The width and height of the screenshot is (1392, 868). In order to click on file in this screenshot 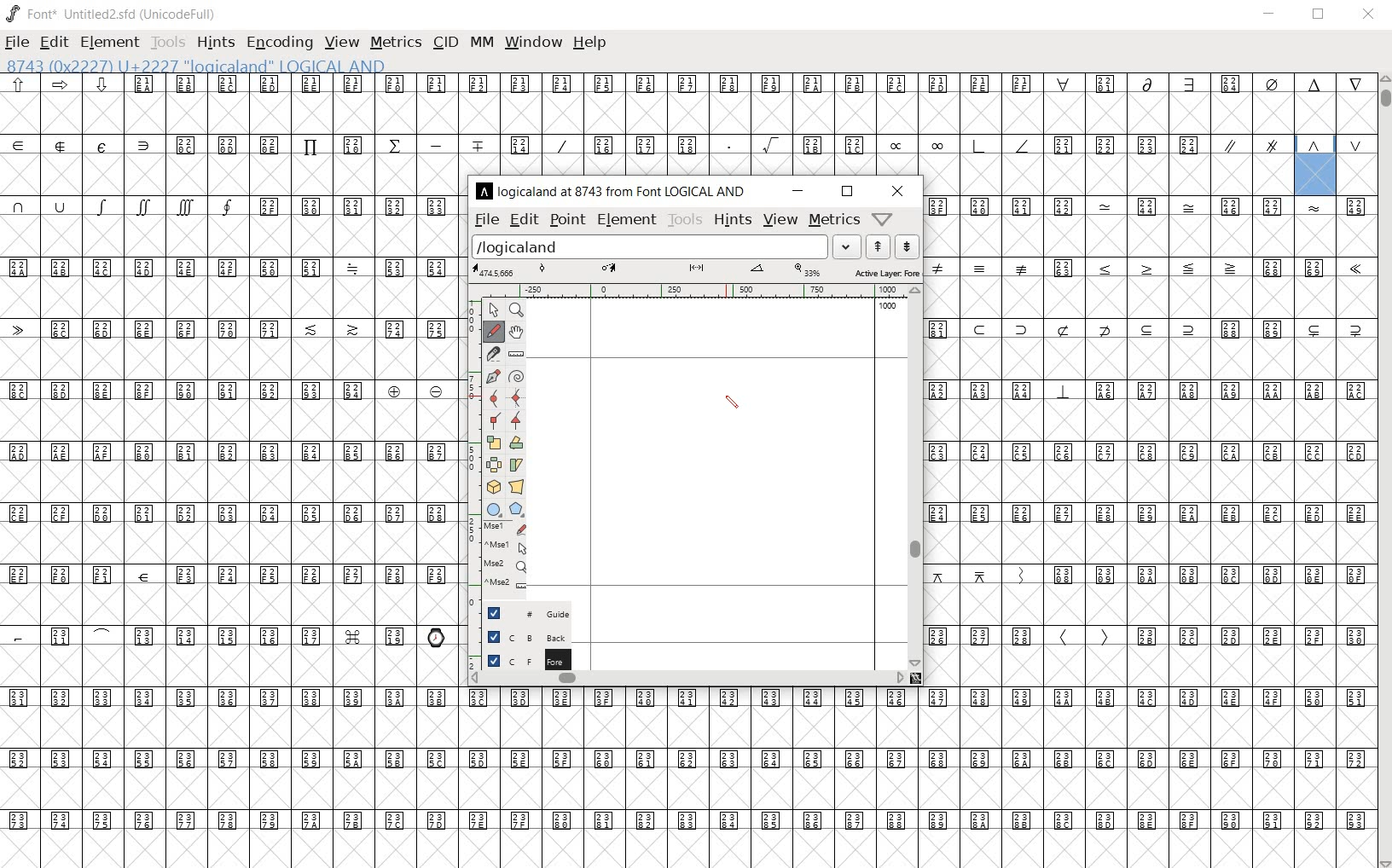, I will do `click(17, 44)`.